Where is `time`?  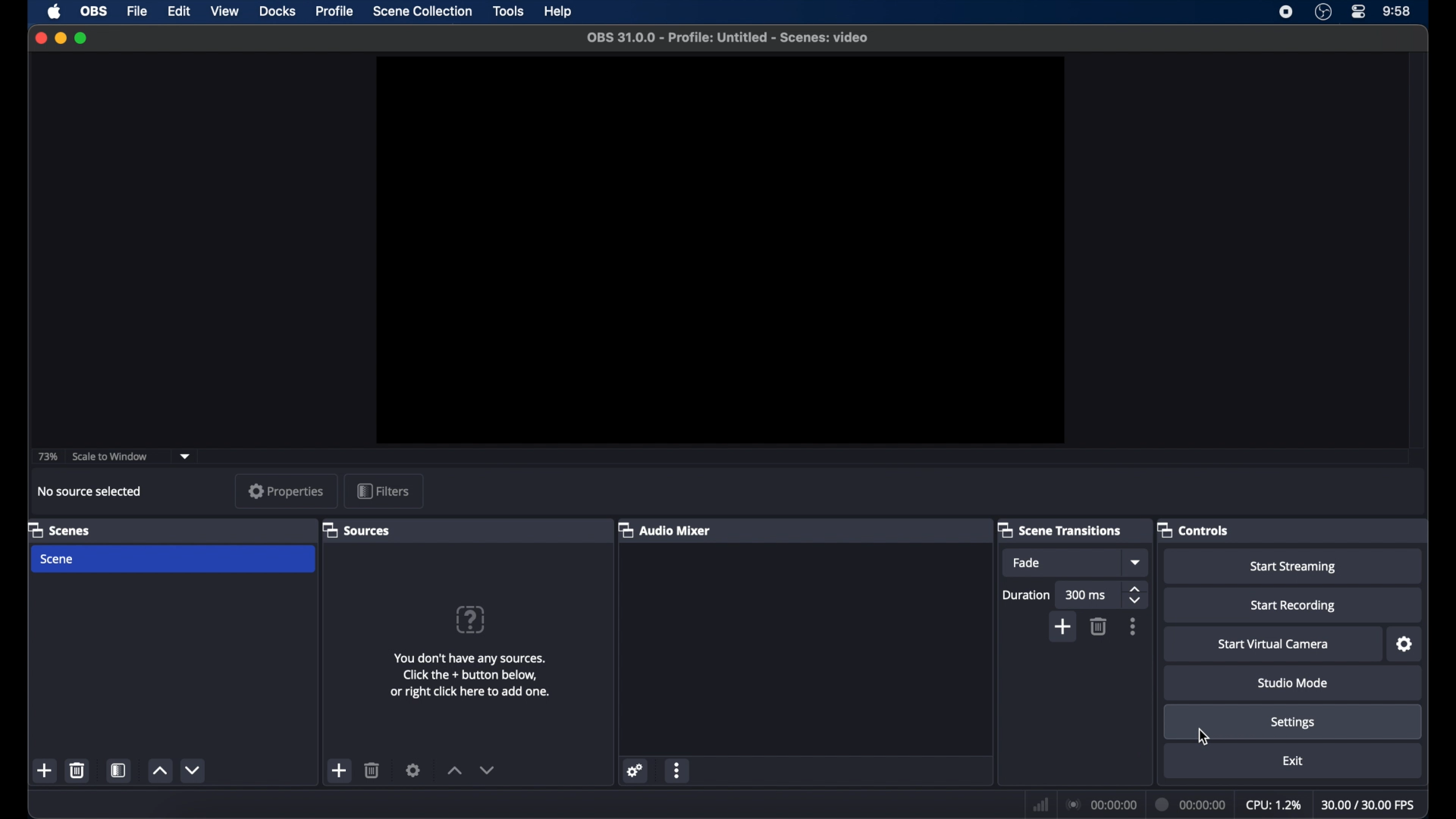
time is located at coordinates (1397, 12).